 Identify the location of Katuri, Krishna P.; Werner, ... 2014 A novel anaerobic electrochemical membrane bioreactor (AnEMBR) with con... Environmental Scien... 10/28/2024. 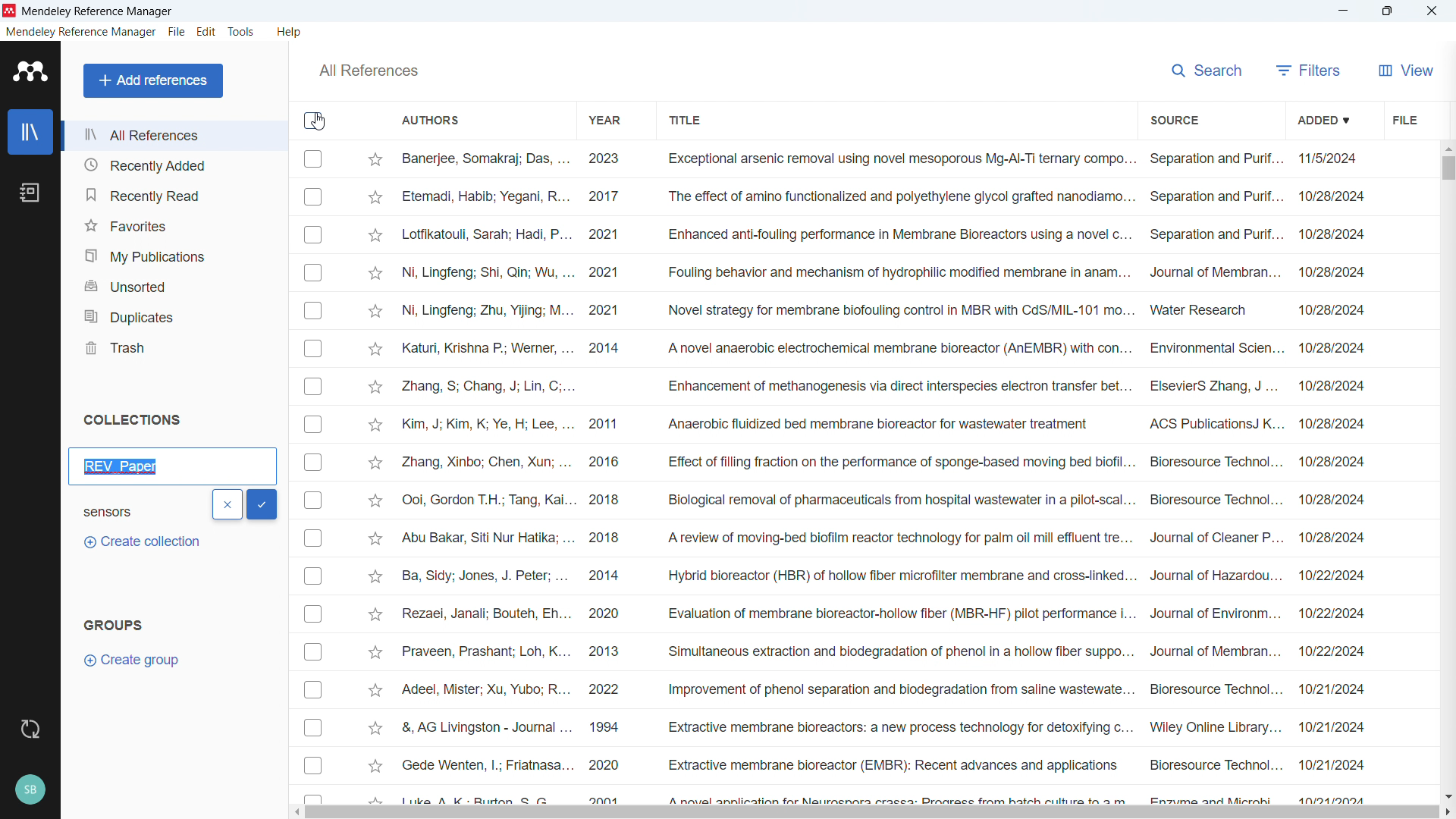
(883, 349).